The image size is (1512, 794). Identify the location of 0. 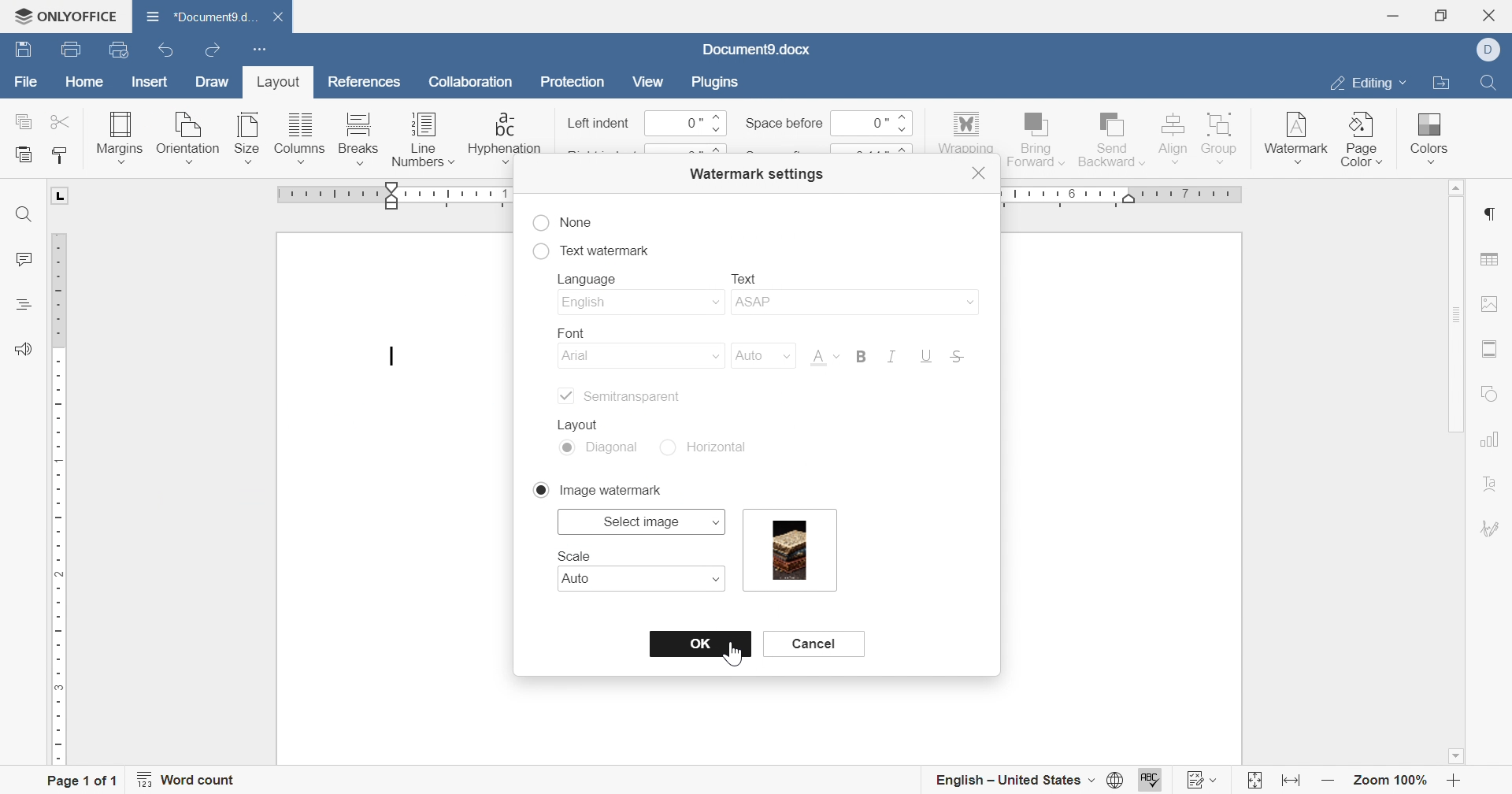
(869, 122).